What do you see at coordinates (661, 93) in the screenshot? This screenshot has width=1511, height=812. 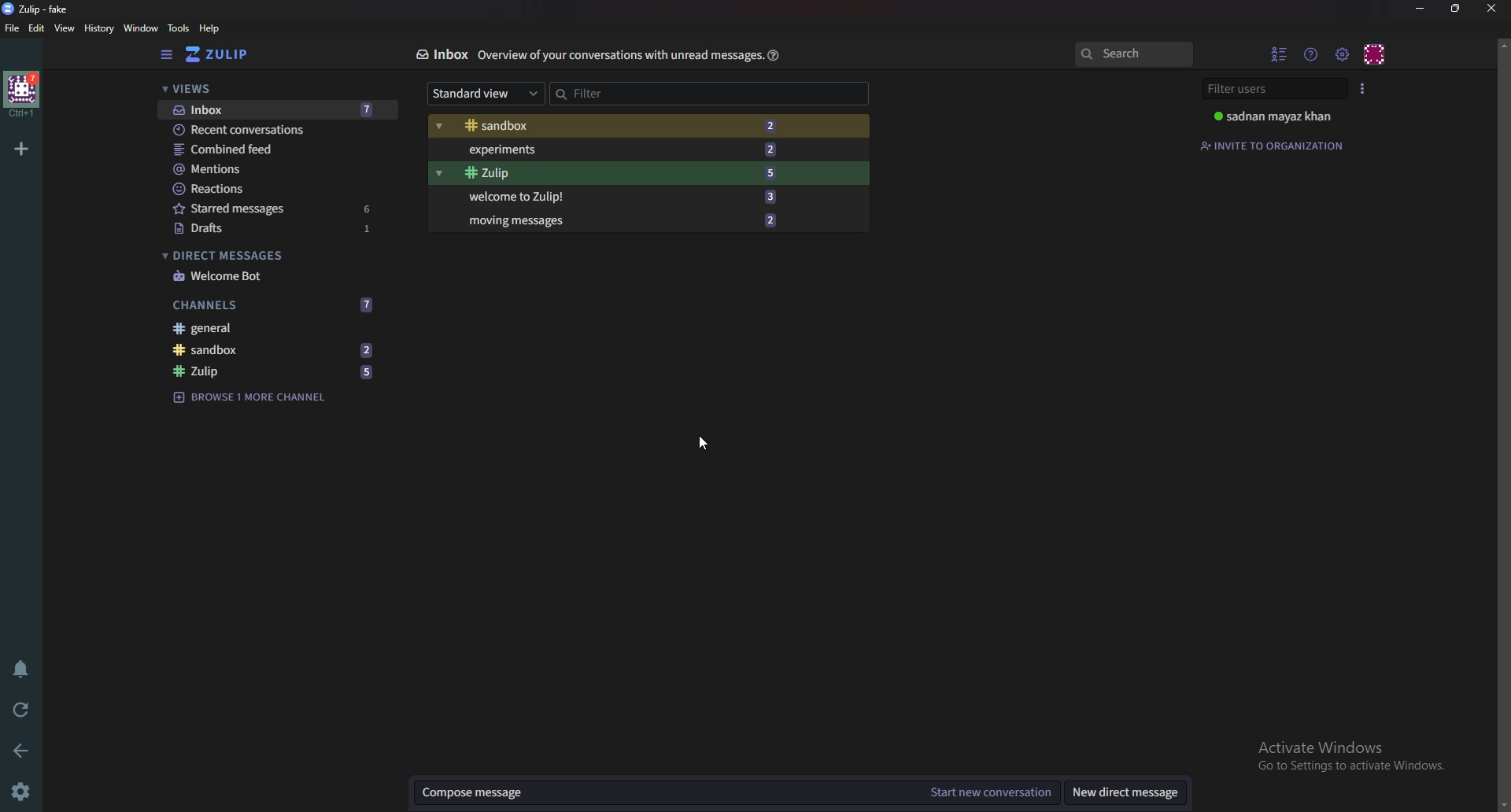 I see `Filter` at bounding box center [661, 93].